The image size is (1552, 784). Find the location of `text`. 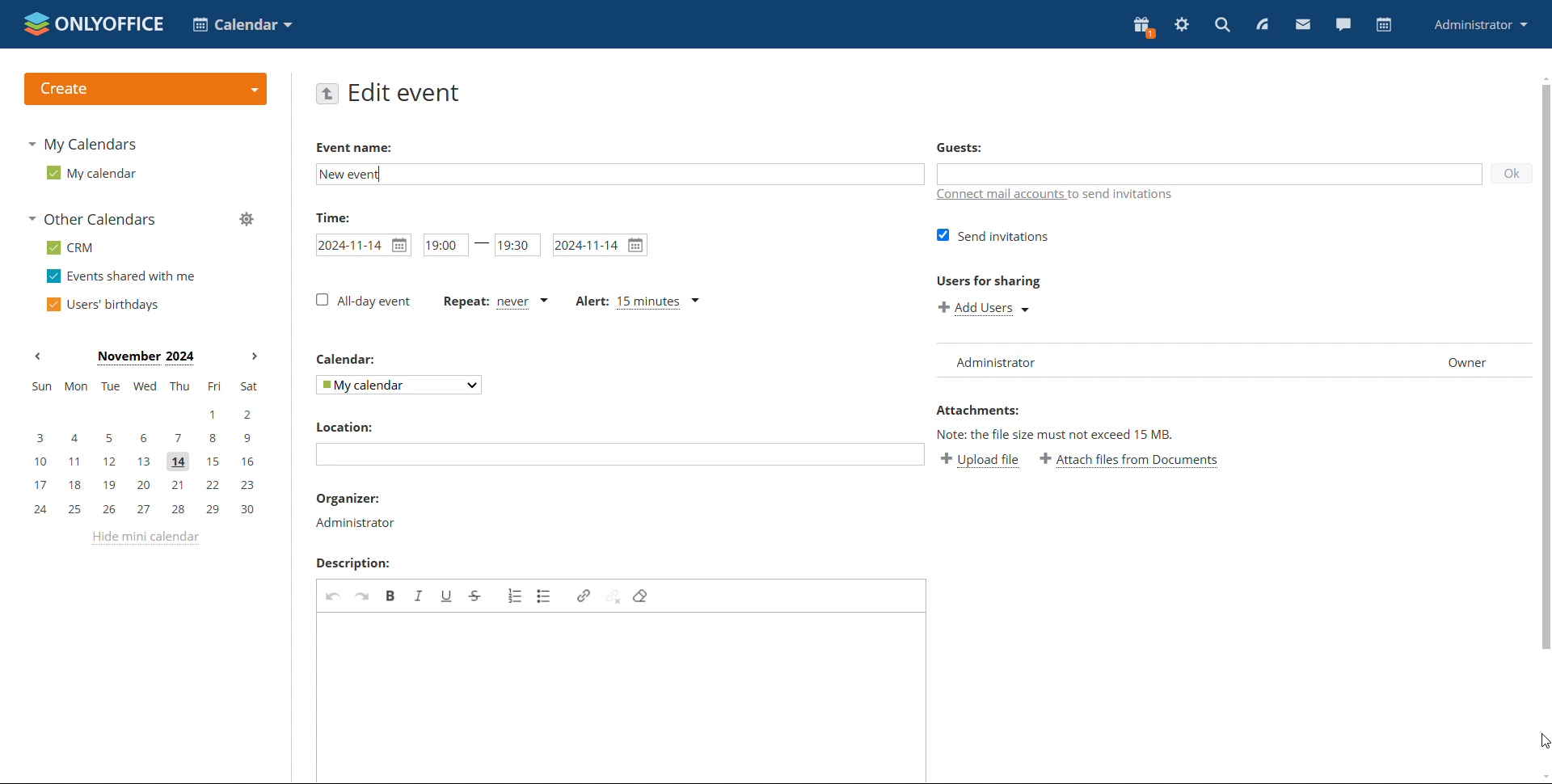

text is located at coordinates (1061, 436).